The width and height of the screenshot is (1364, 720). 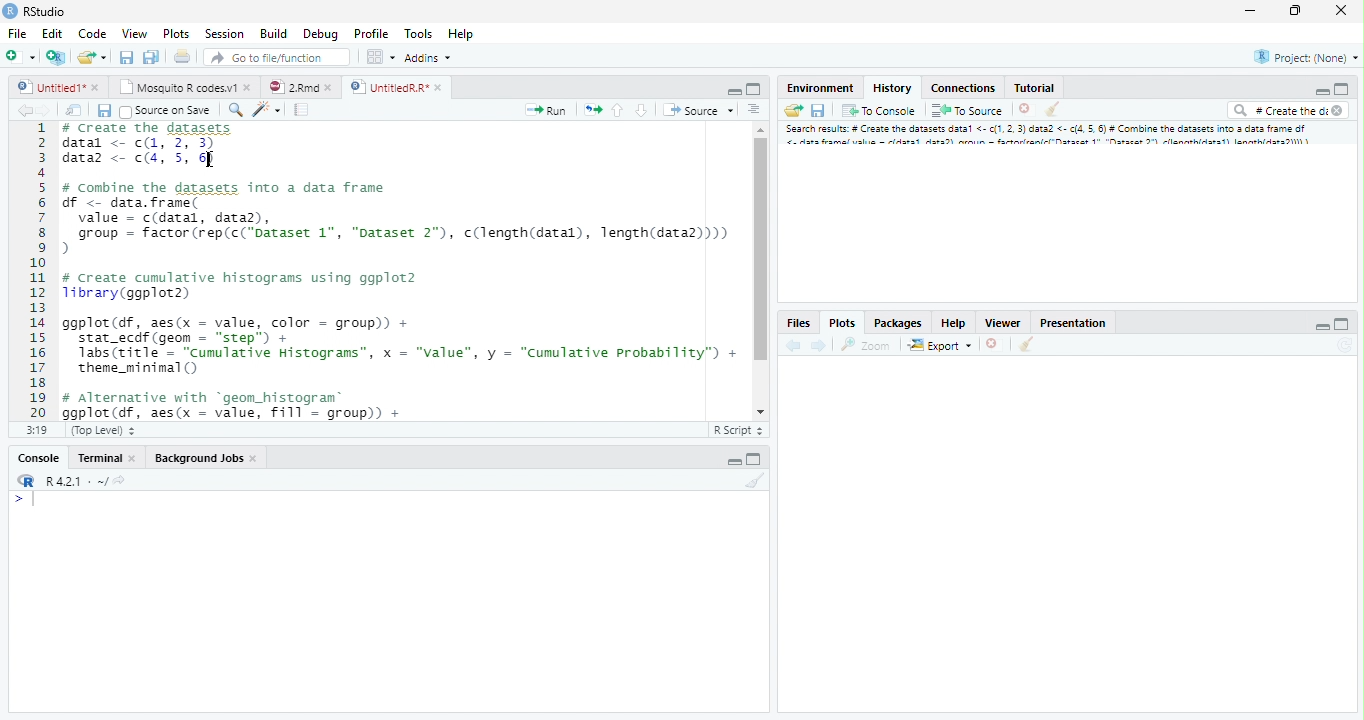 I want to click on Clear console, so click(x=1055, y=111).